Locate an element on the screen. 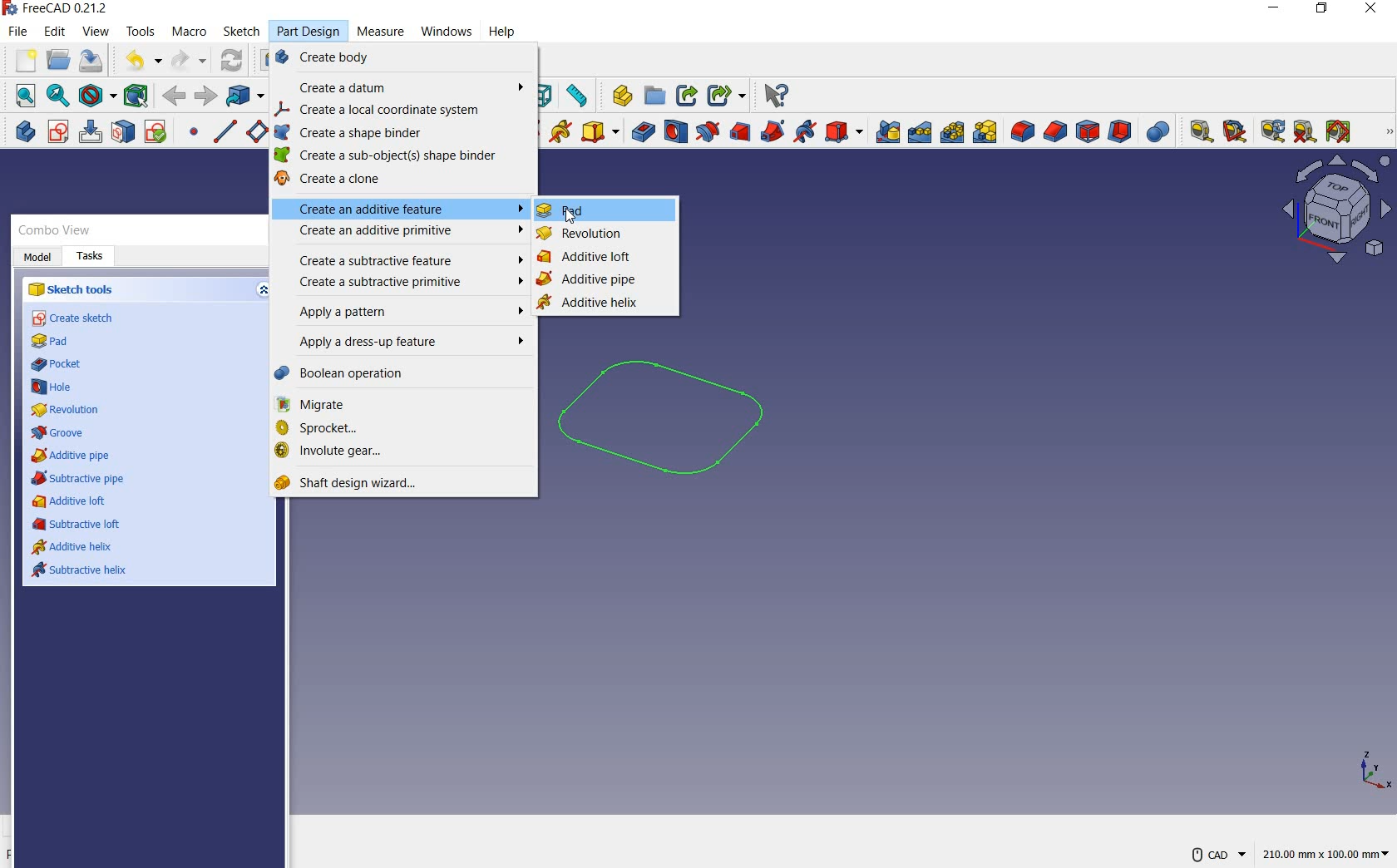  draft is located at coordinates (1087, 130).